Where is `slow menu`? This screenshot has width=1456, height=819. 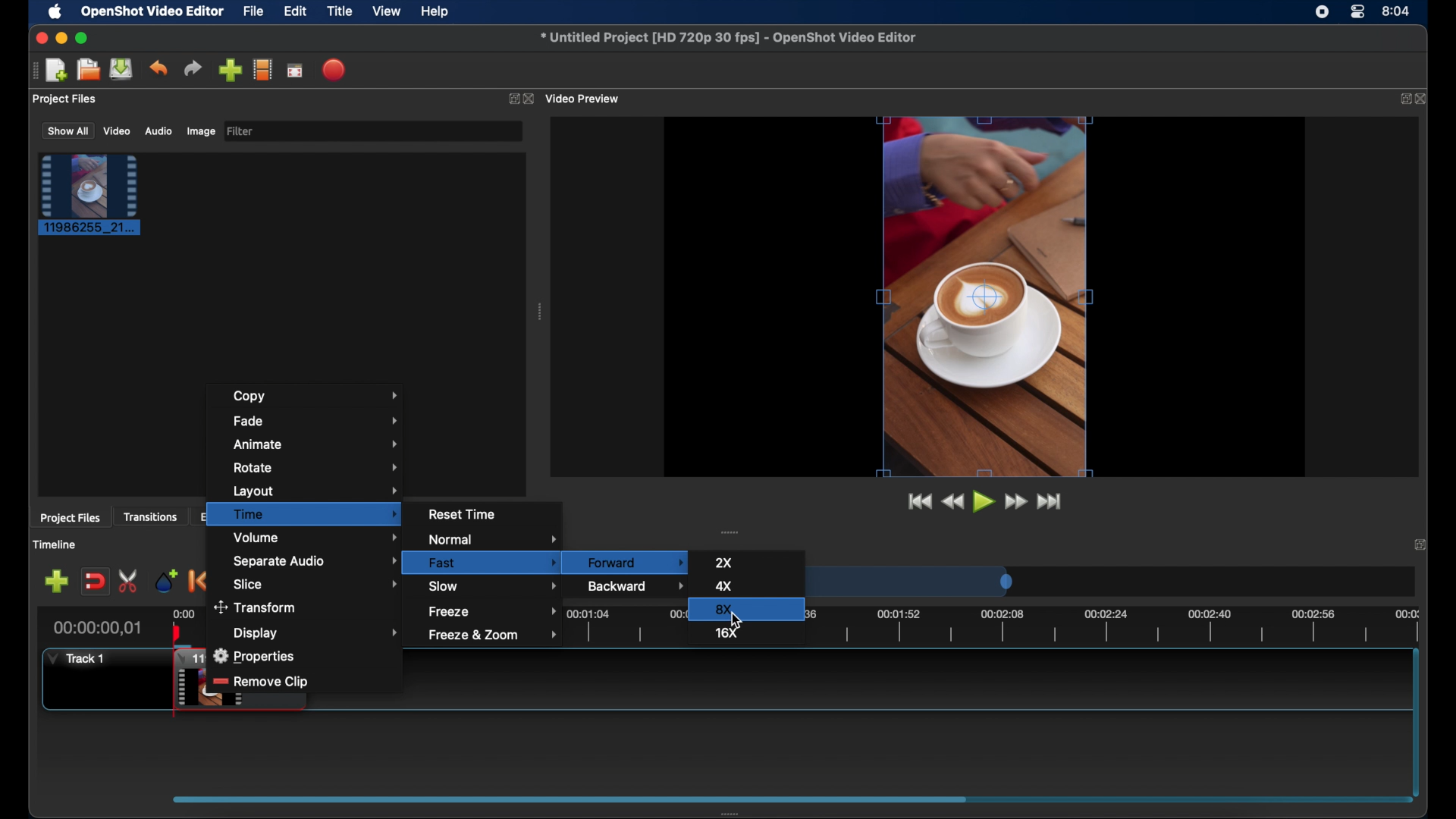 slow menu is located at coordinates (493, 585).